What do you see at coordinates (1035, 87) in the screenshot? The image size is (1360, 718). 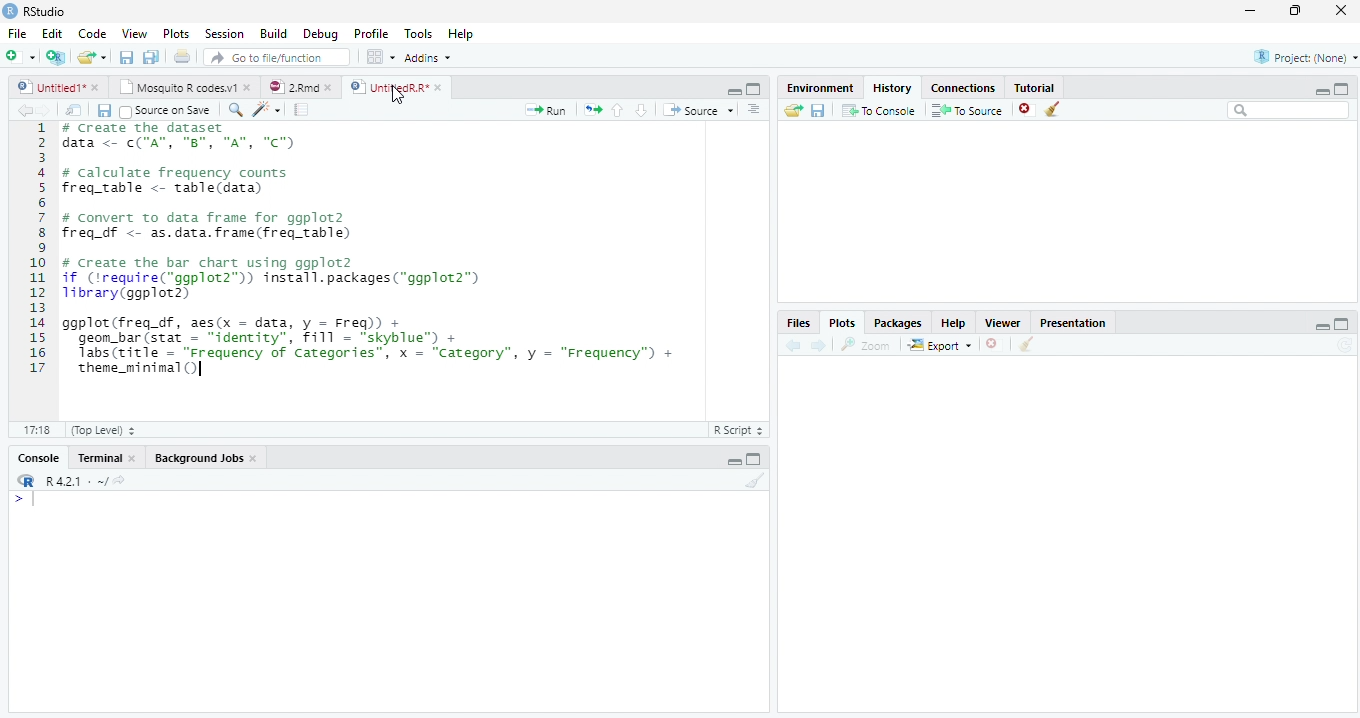 I see `Tutorial` at bounding box center [1035, 87].